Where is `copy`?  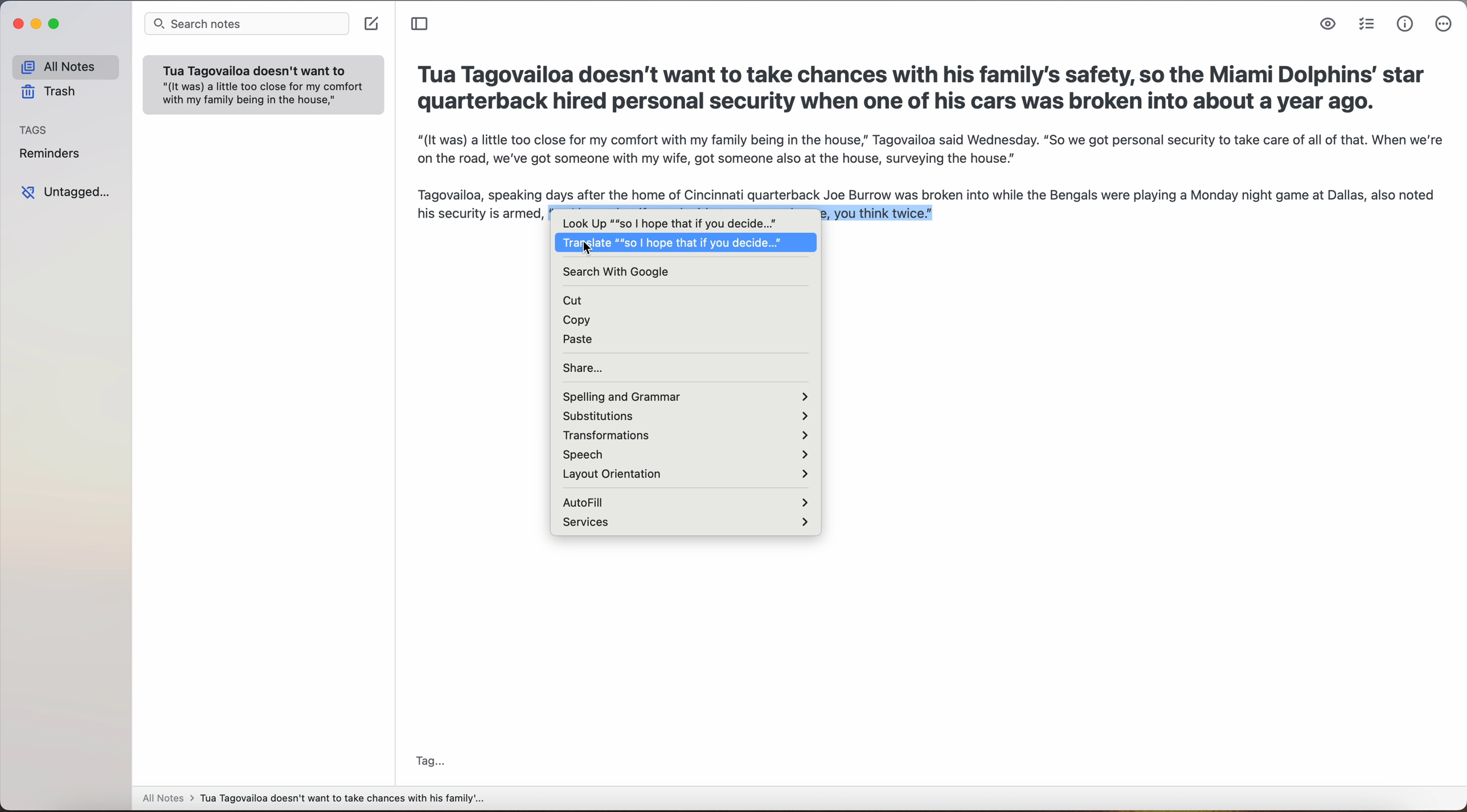
copy is located at coordinates (578, 321).